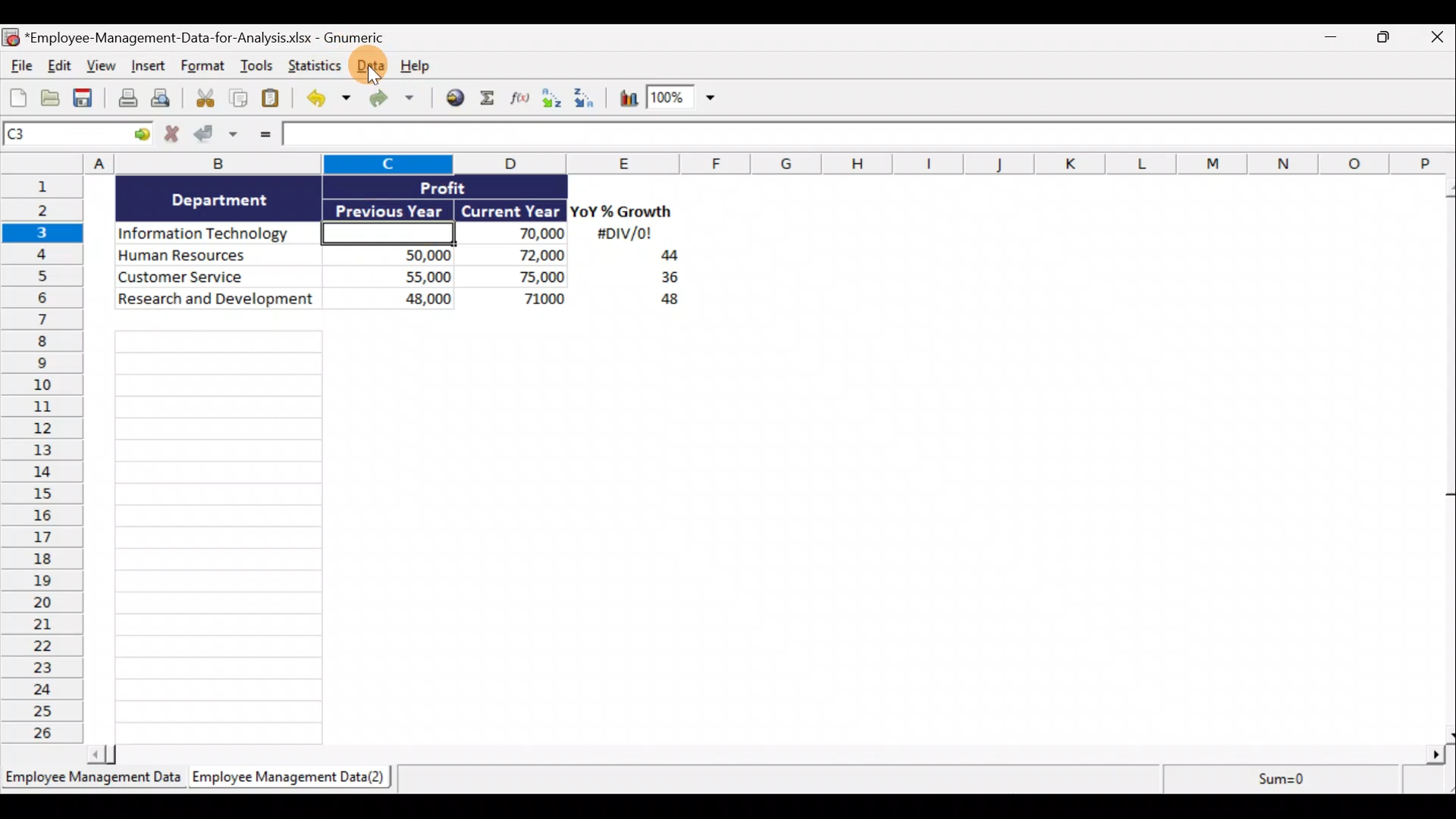  What do you see at coordinates (397, 254) in the screenshot?
I see `50,000` at bounding box center [397, 254].